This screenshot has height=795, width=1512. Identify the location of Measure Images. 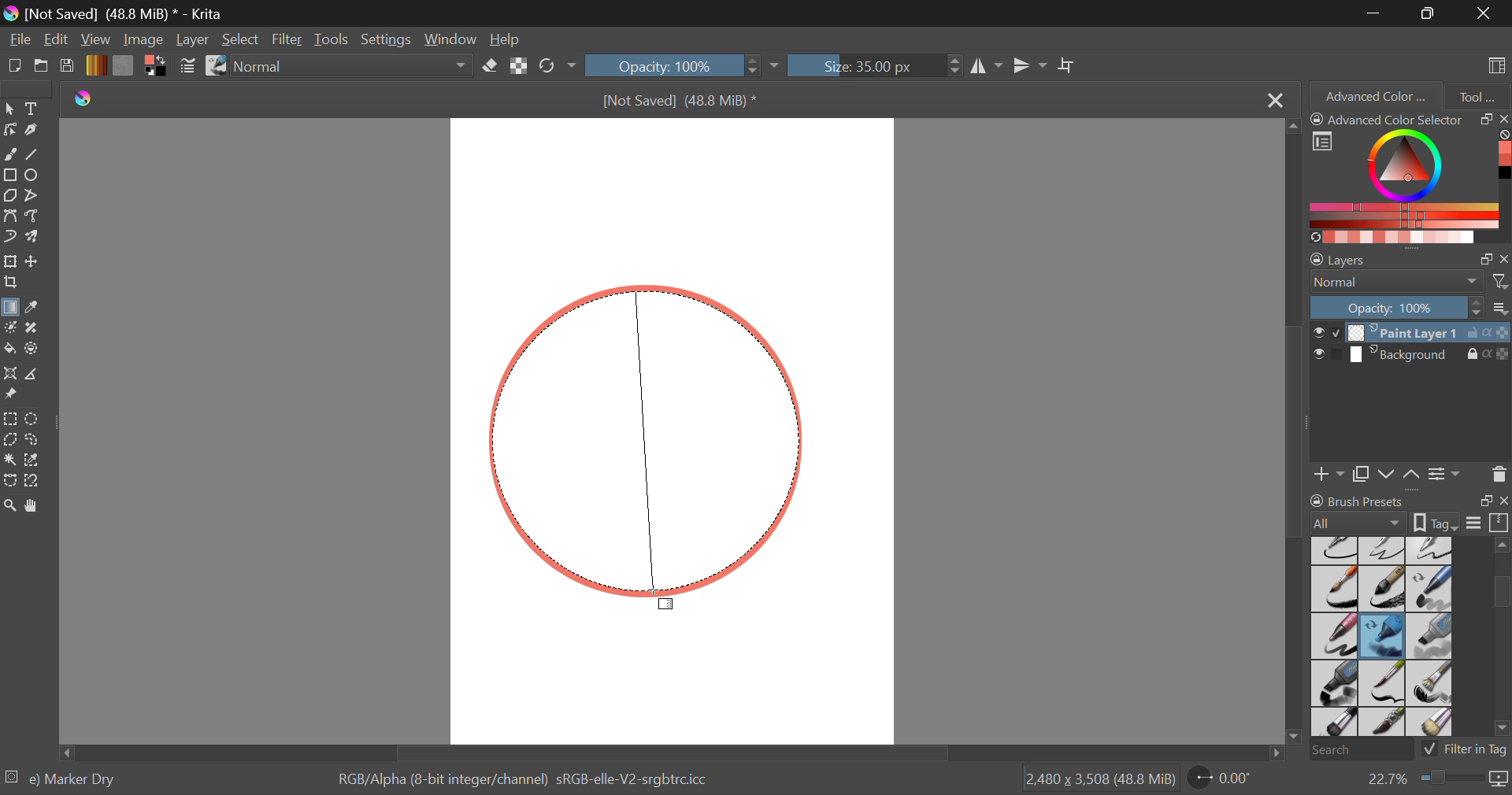
(34, 376).